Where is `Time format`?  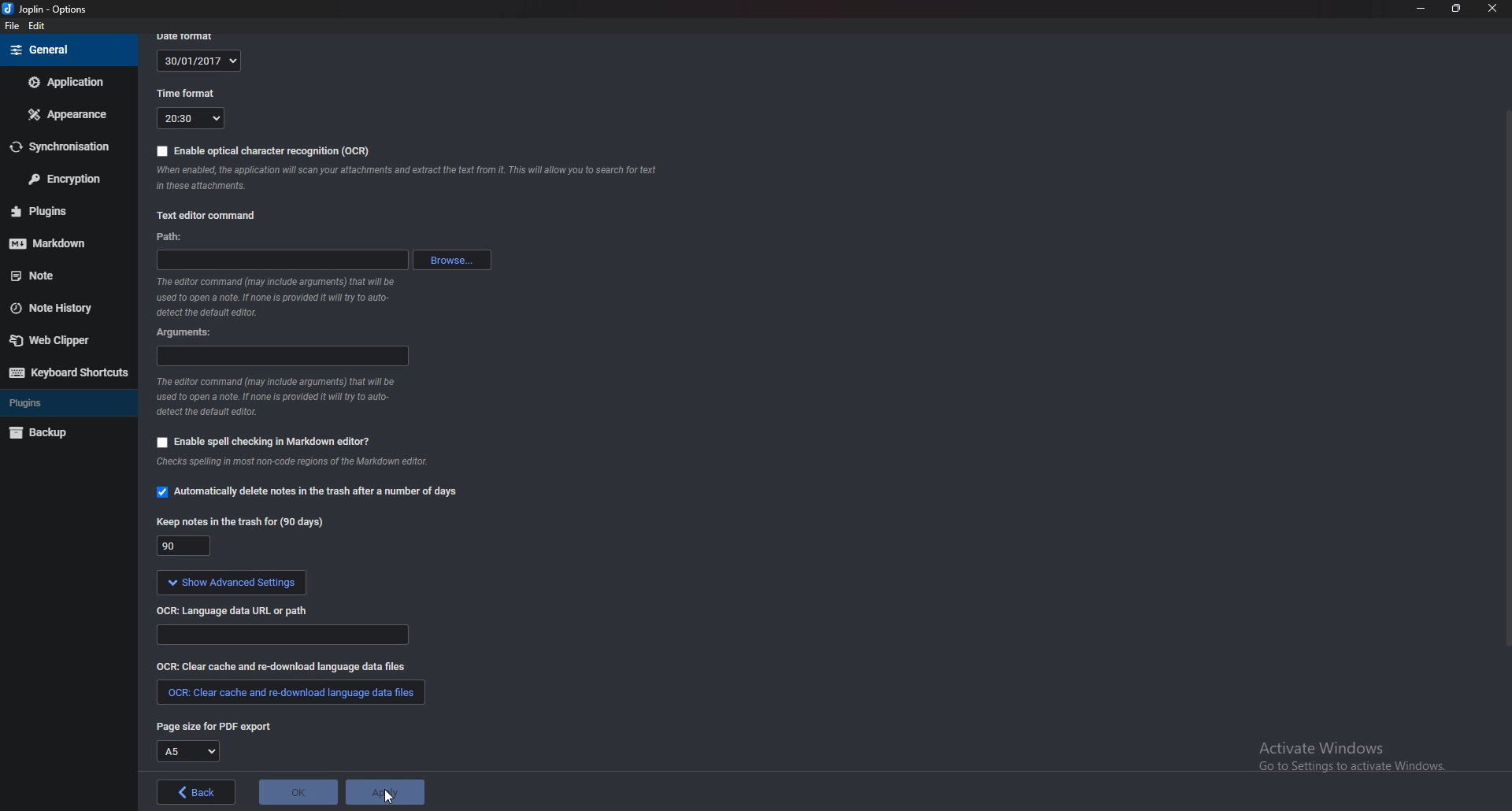
Time format is located at coordinates (187, 91).